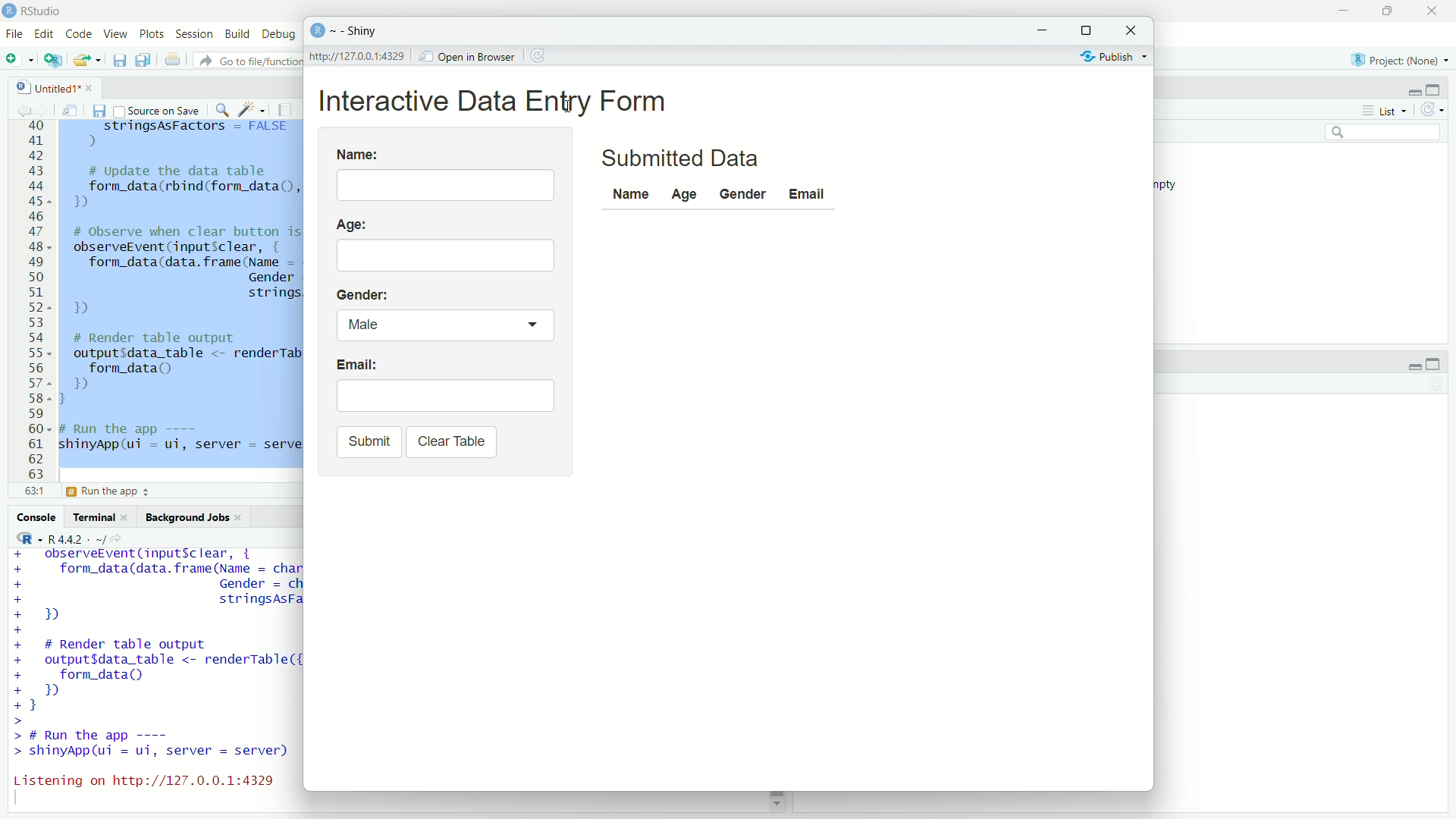 This screenshot has height=819, width=1456. I want to click on string code, so click(187, 134).